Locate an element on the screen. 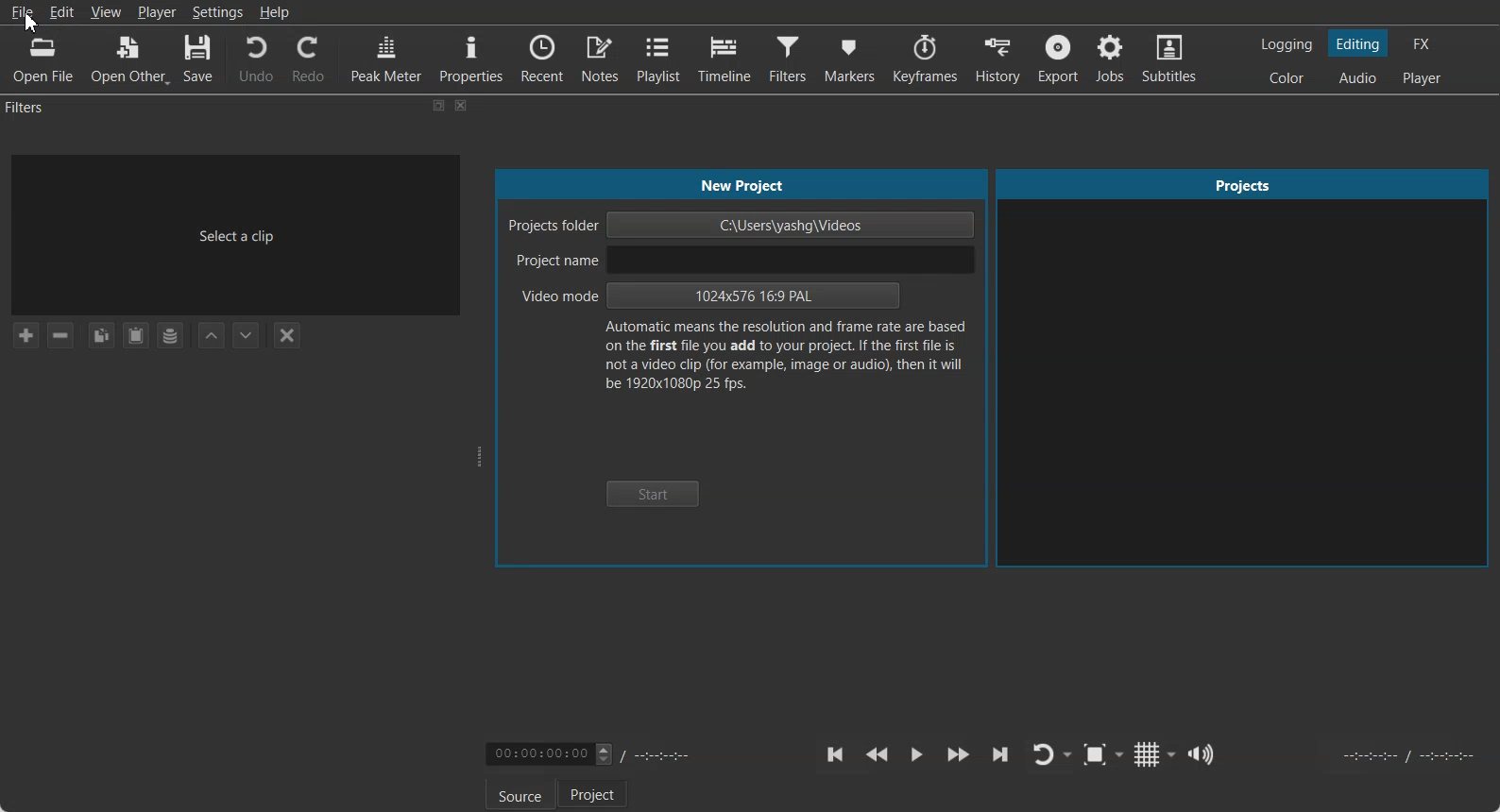 This screenshot has width=1500, height=812. Video Time Adjuster is located at coordinates (549, 753).